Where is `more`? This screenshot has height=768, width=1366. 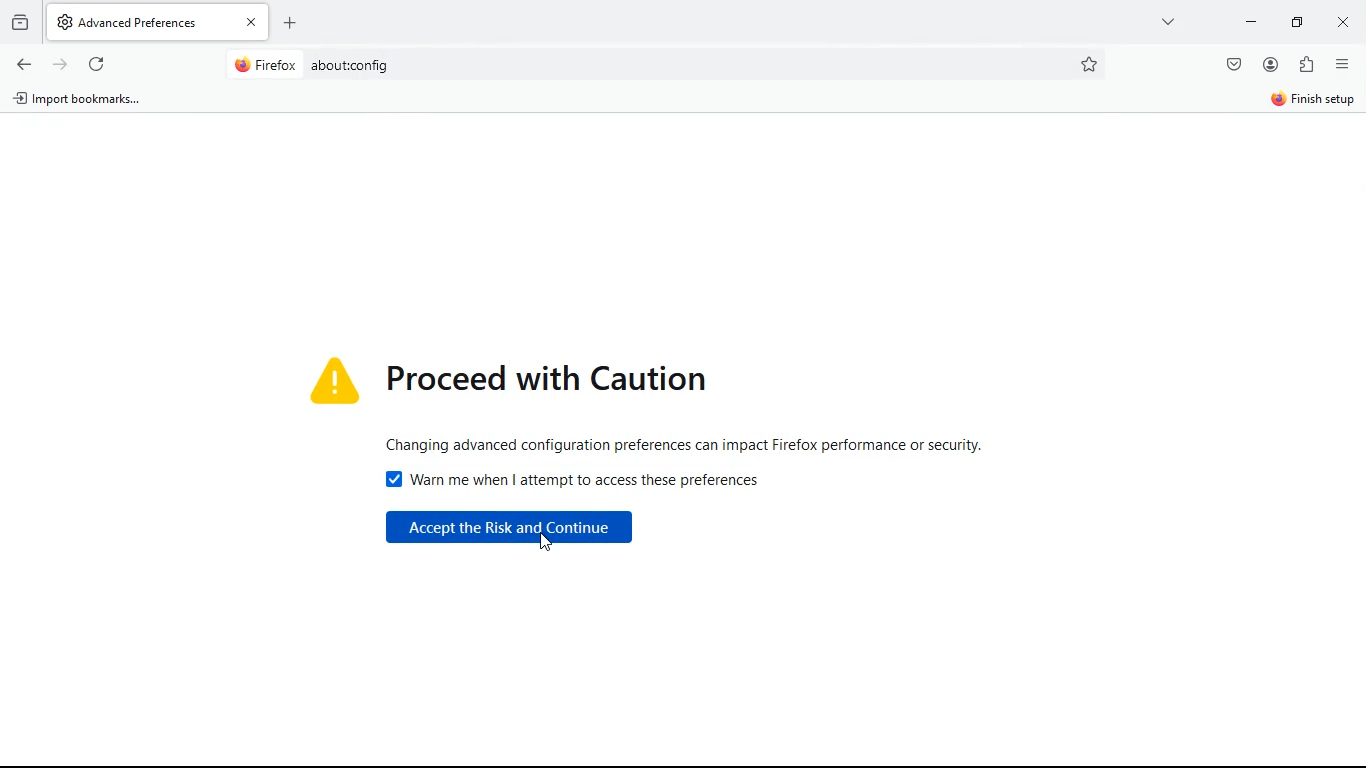
more is located at coordinates (1165, 21).